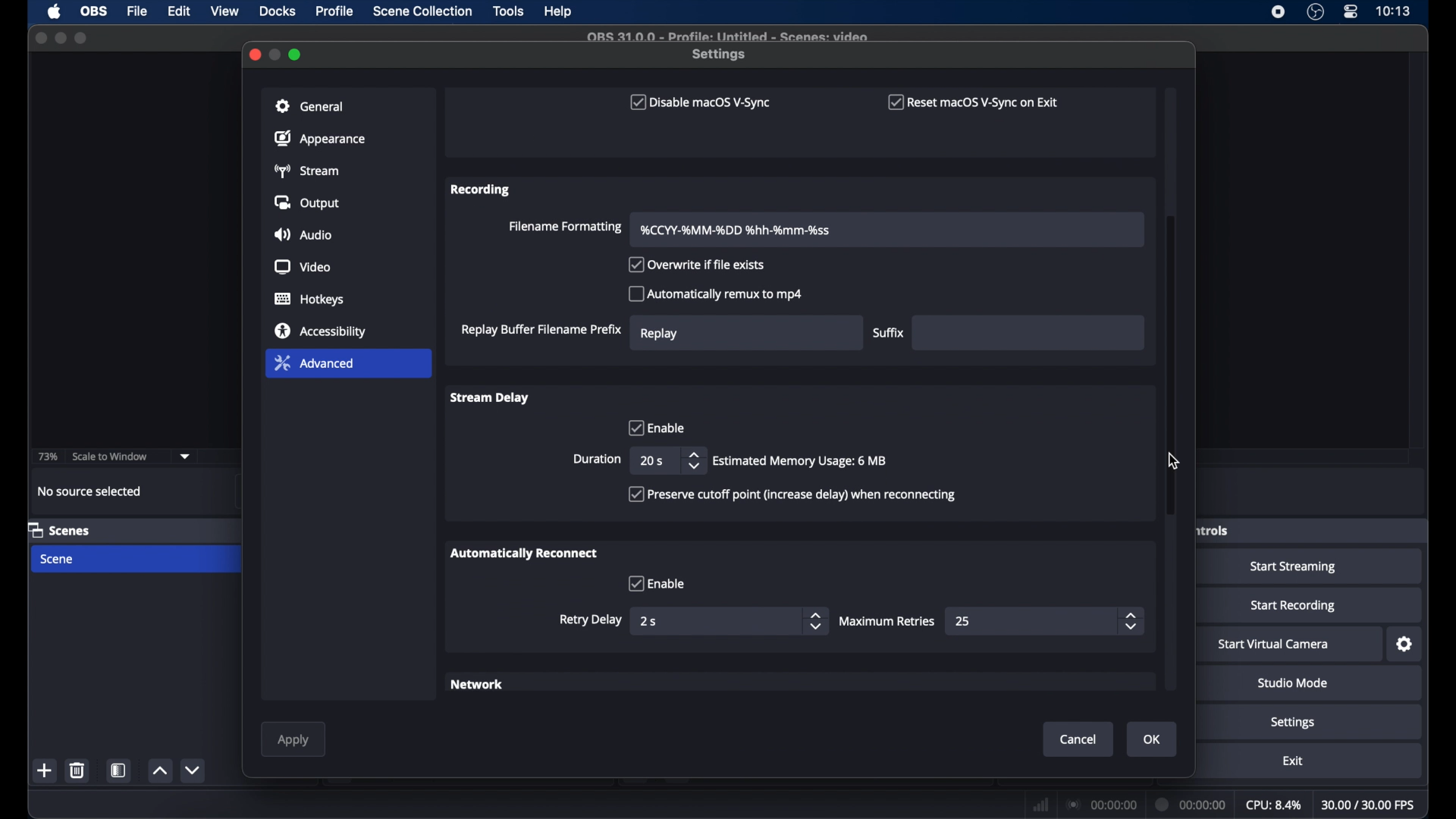 Image resolution: width=1456 pixels, height=819 pixels. I want to click on maximize, so click(83, 38).